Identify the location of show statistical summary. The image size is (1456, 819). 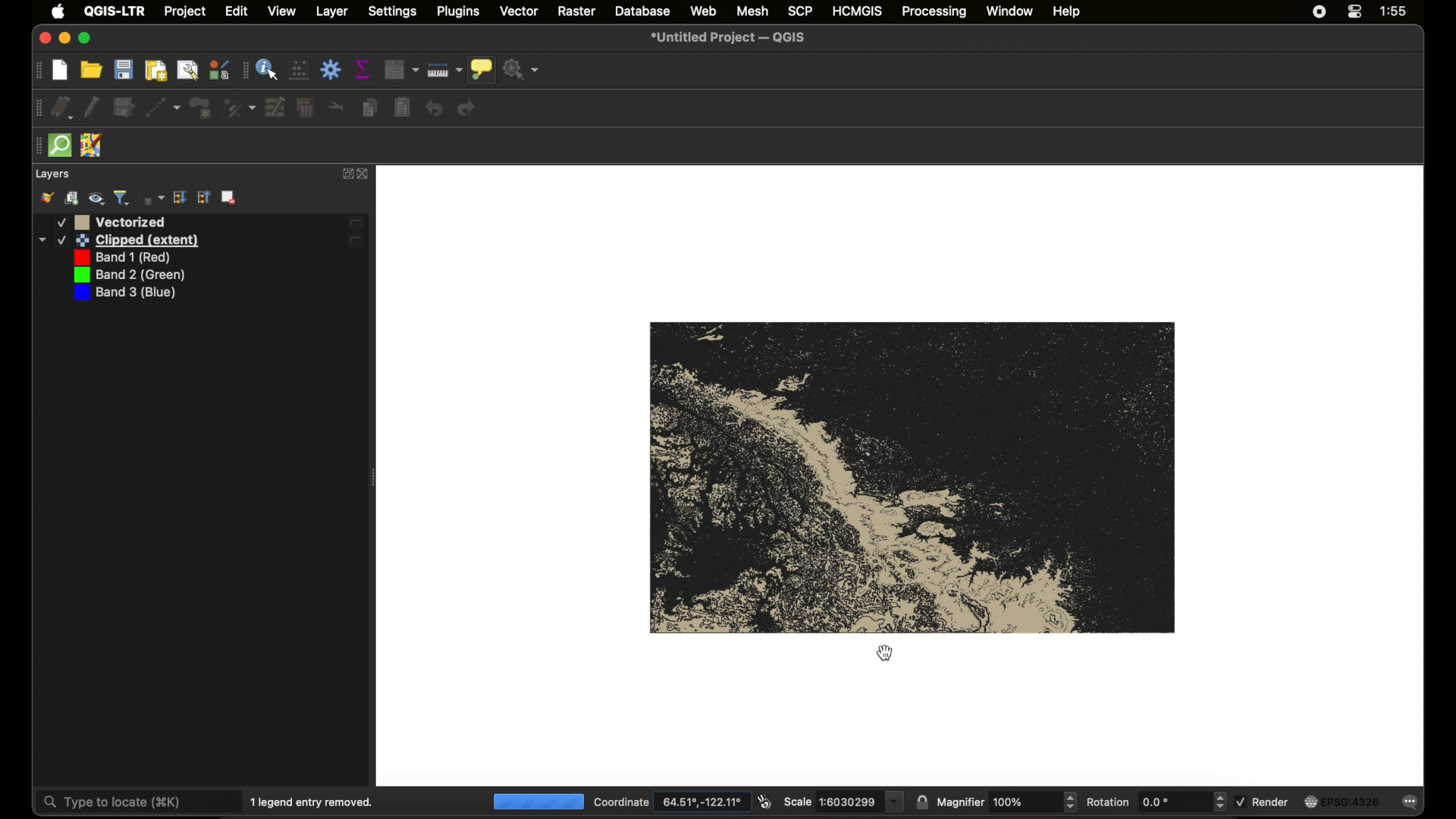
(363, 69).